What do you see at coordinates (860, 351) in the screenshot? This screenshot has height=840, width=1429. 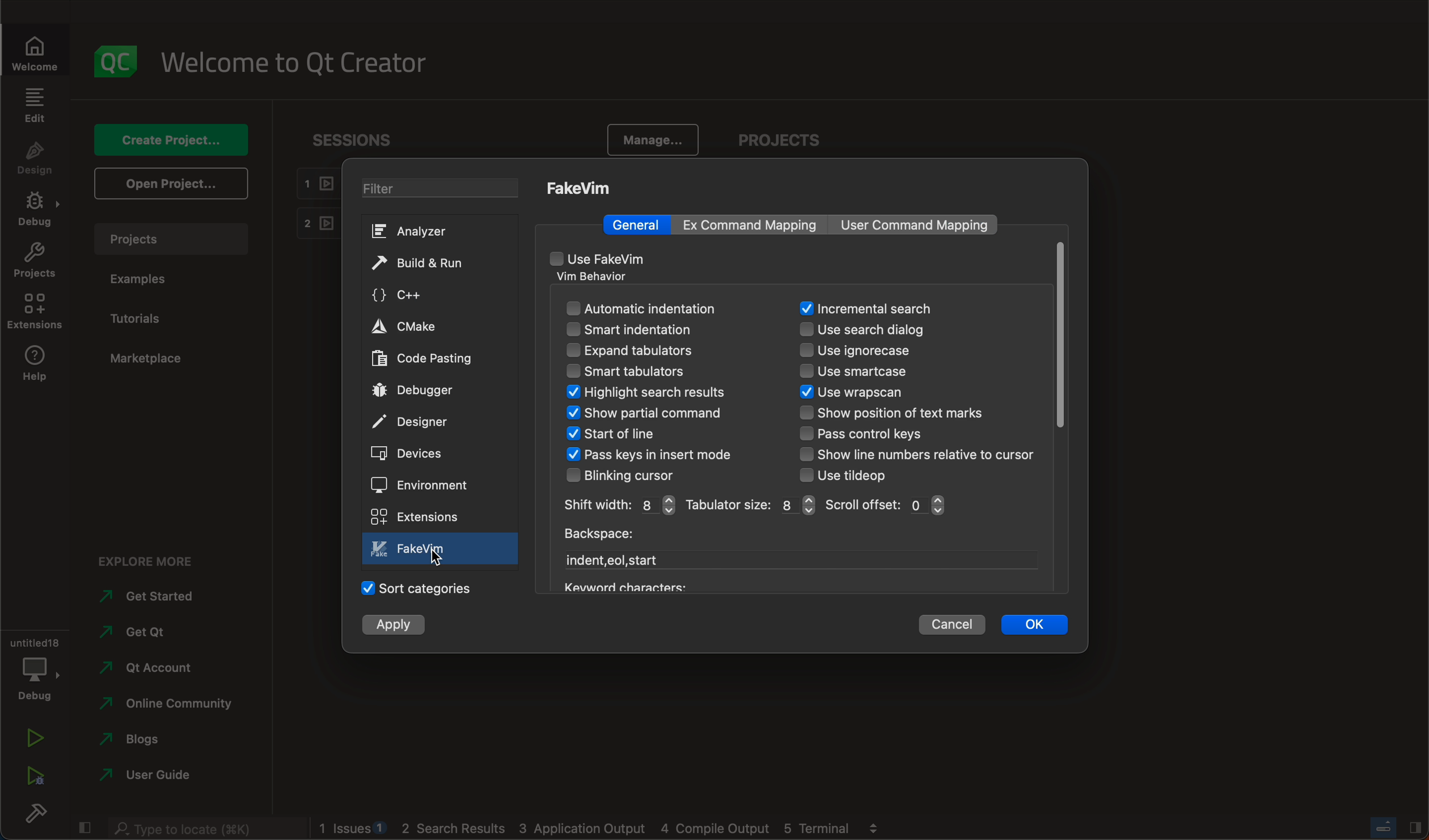 I see `ignorecase` at bounding box center [860, 351].